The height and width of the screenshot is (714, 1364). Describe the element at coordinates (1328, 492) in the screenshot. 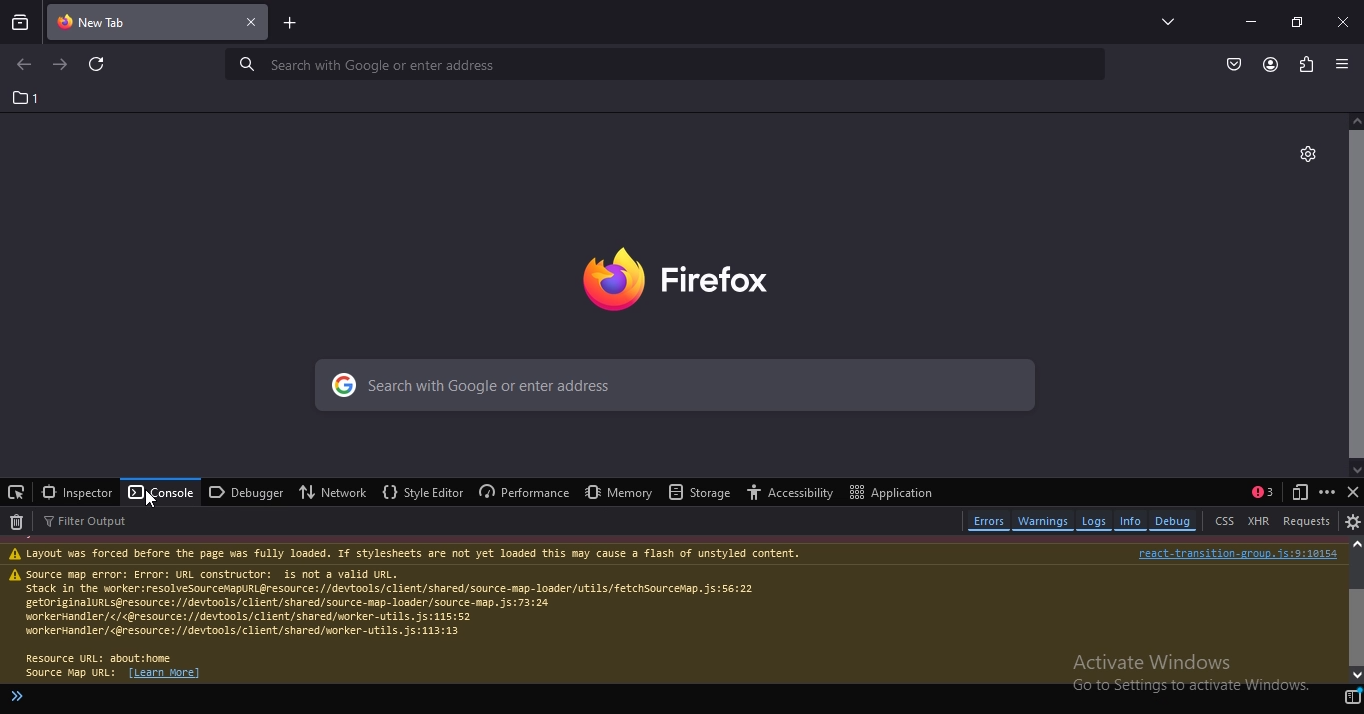

I see `customize developer tools and get help` at that location.